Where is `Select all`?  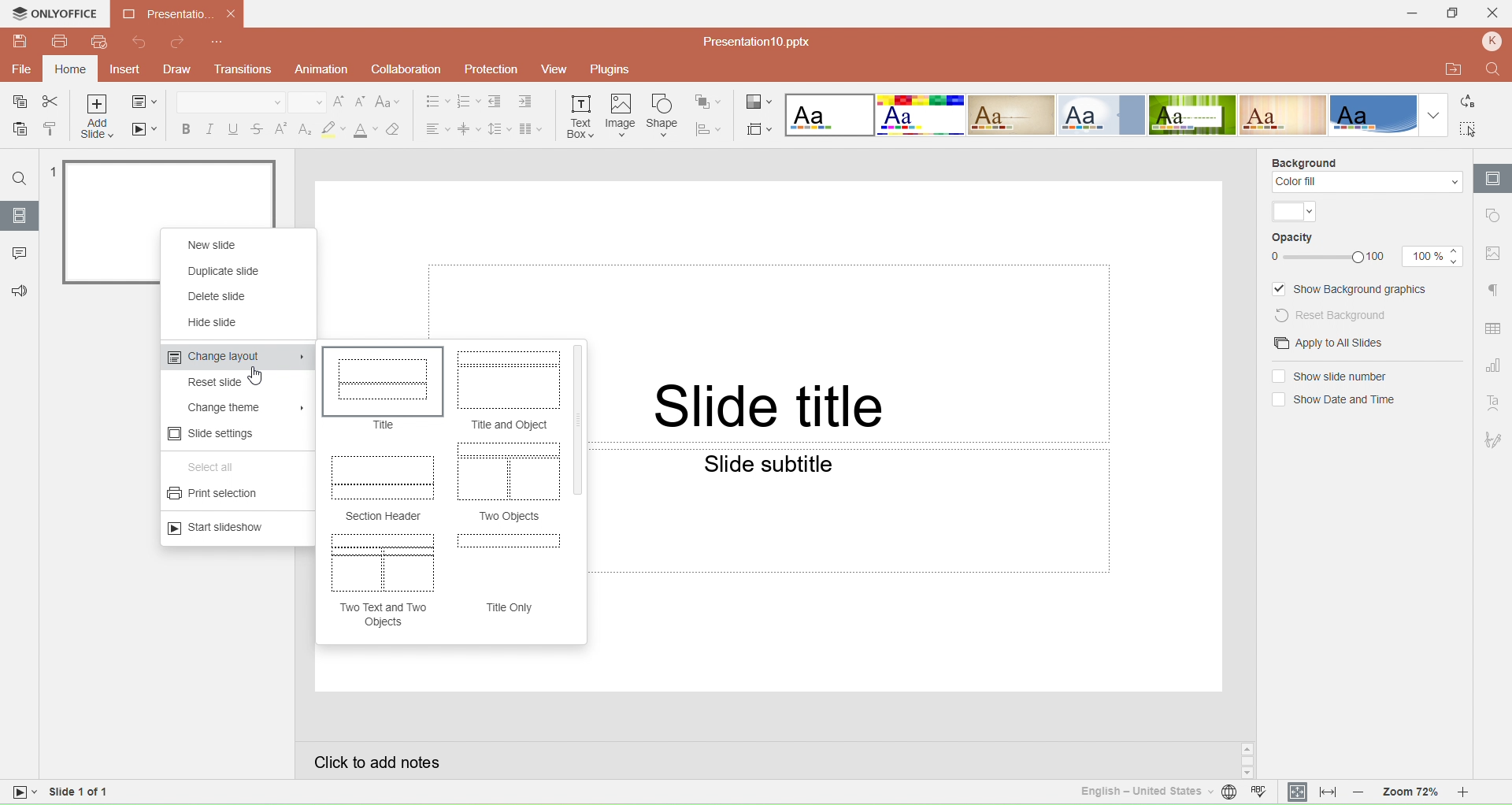 Select all is located at coordinates (216, 468).